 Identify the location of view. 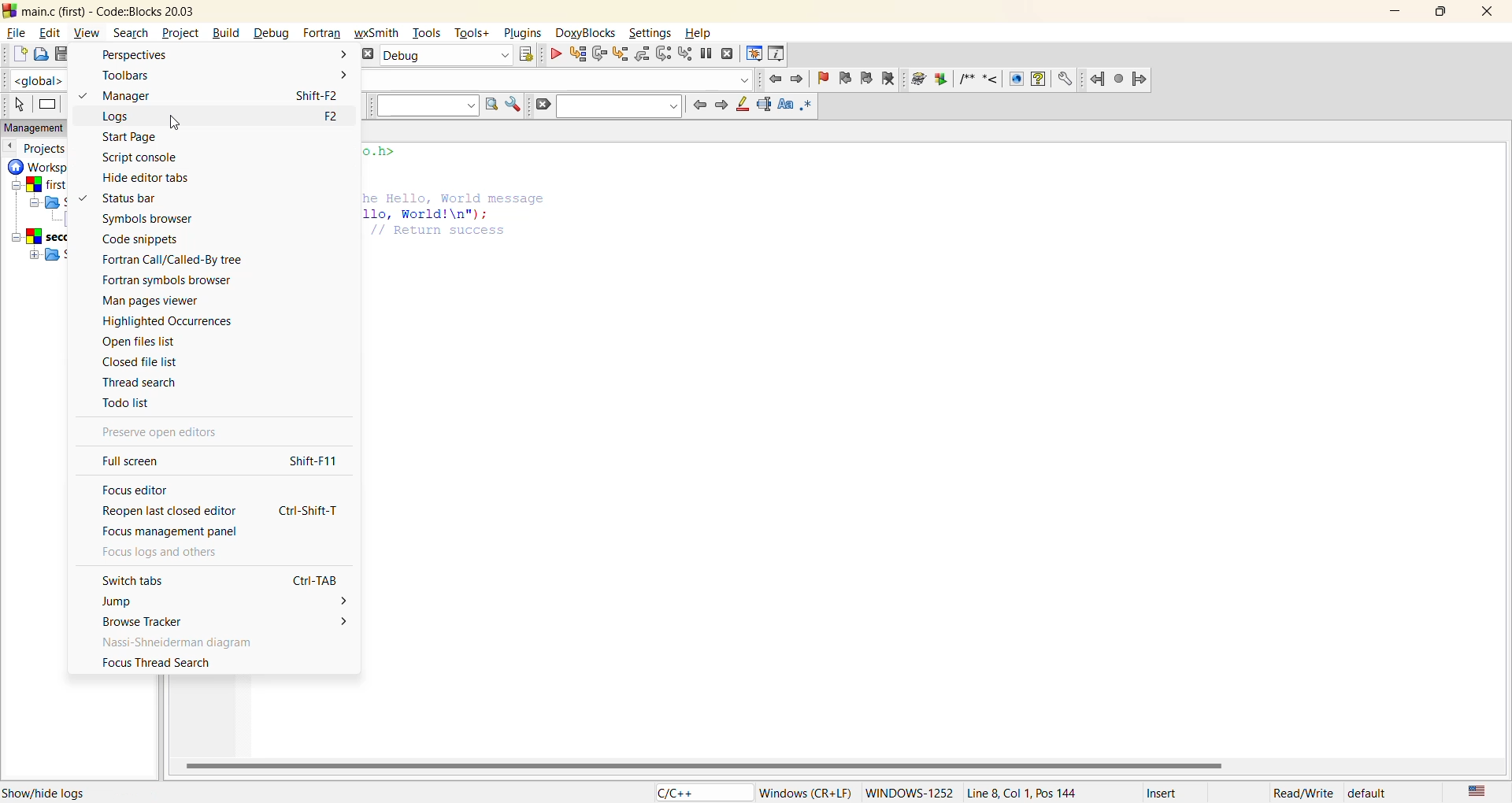
(89, 34).